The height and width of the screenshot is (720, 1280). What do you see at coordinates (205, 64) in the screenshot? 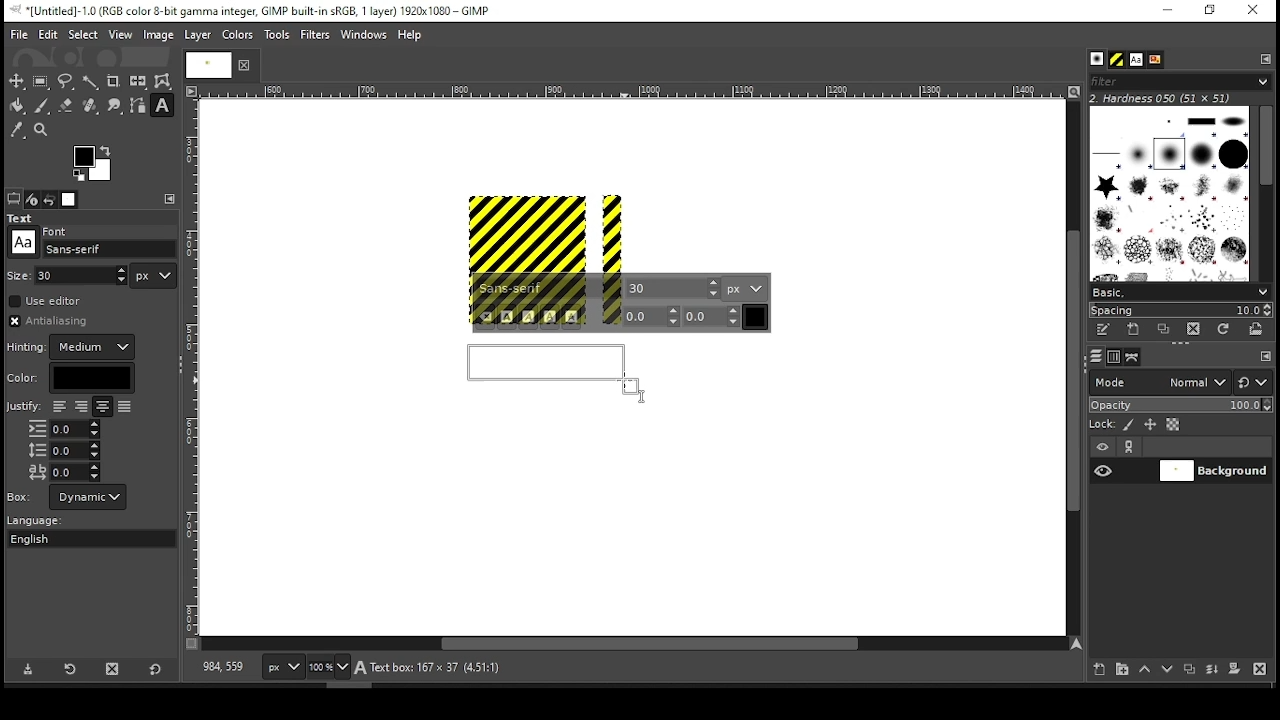
I see `` at bounding box center [205, 64].